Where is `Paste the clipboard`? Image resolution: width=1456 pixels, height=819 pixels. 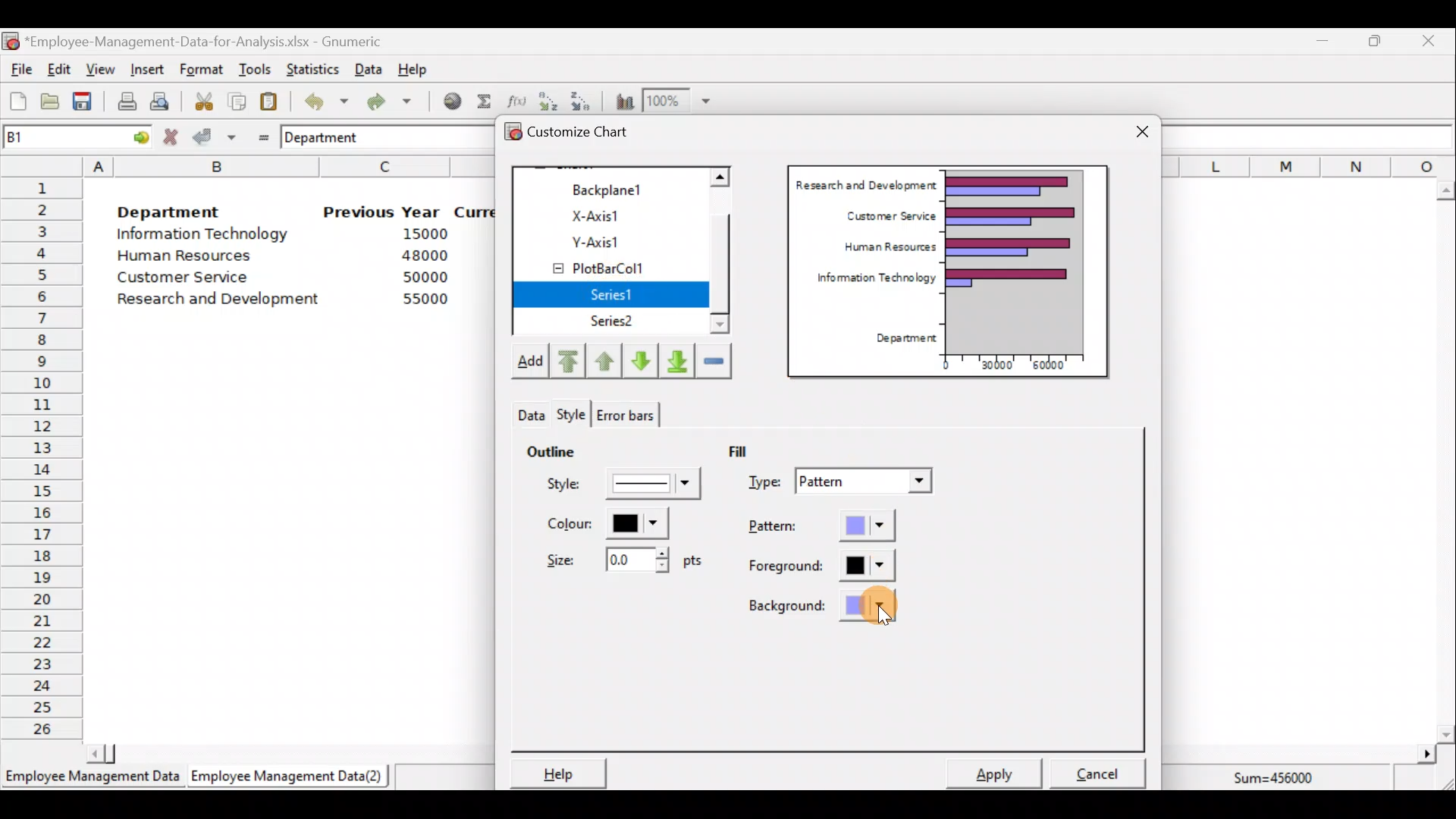
Paste the clipboard is located at coordinates (268, 101).